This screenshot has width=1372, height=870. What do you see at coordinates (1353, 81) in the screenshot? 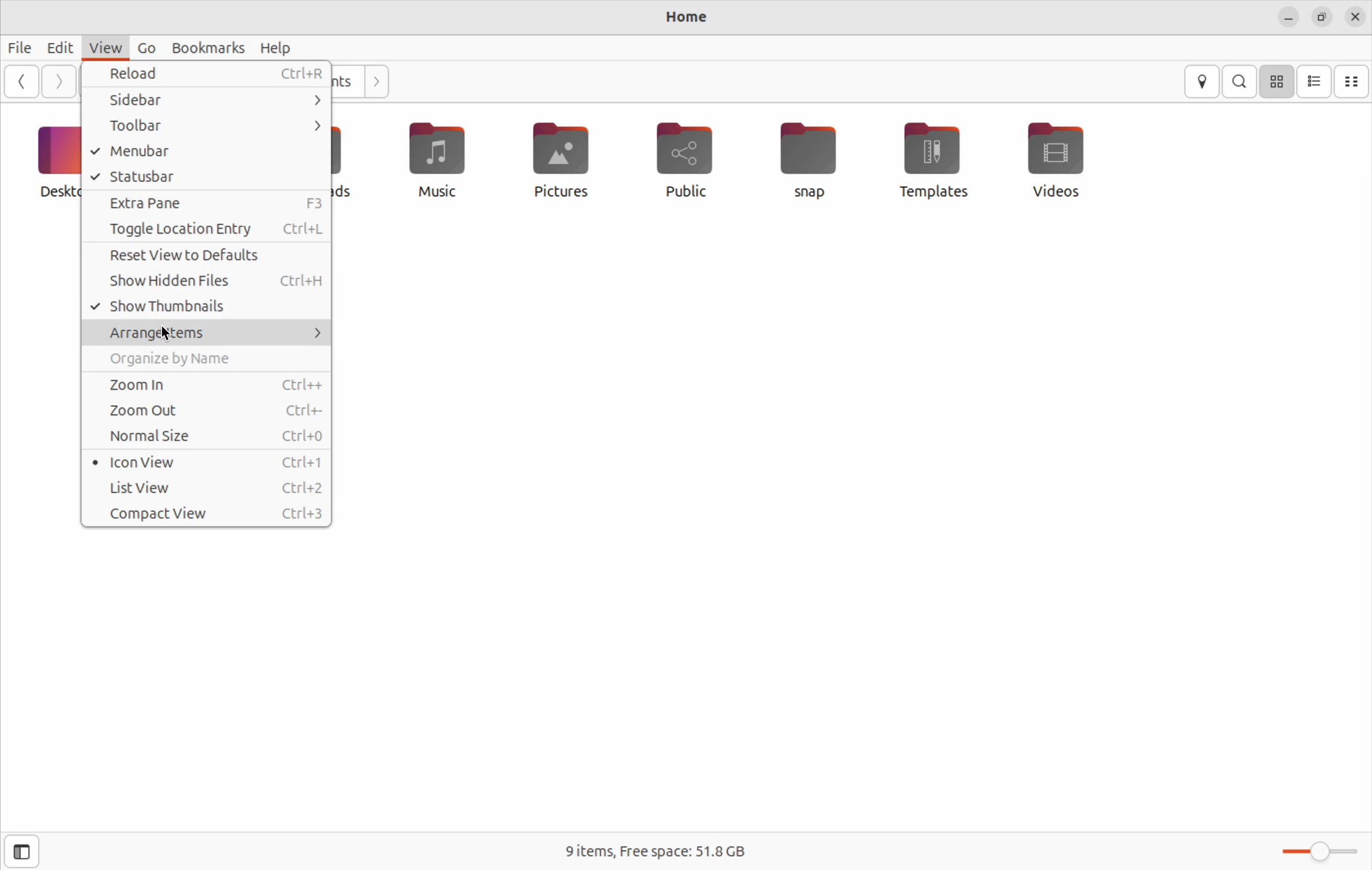
I see `compact view` at bounding box center [1353, 81].